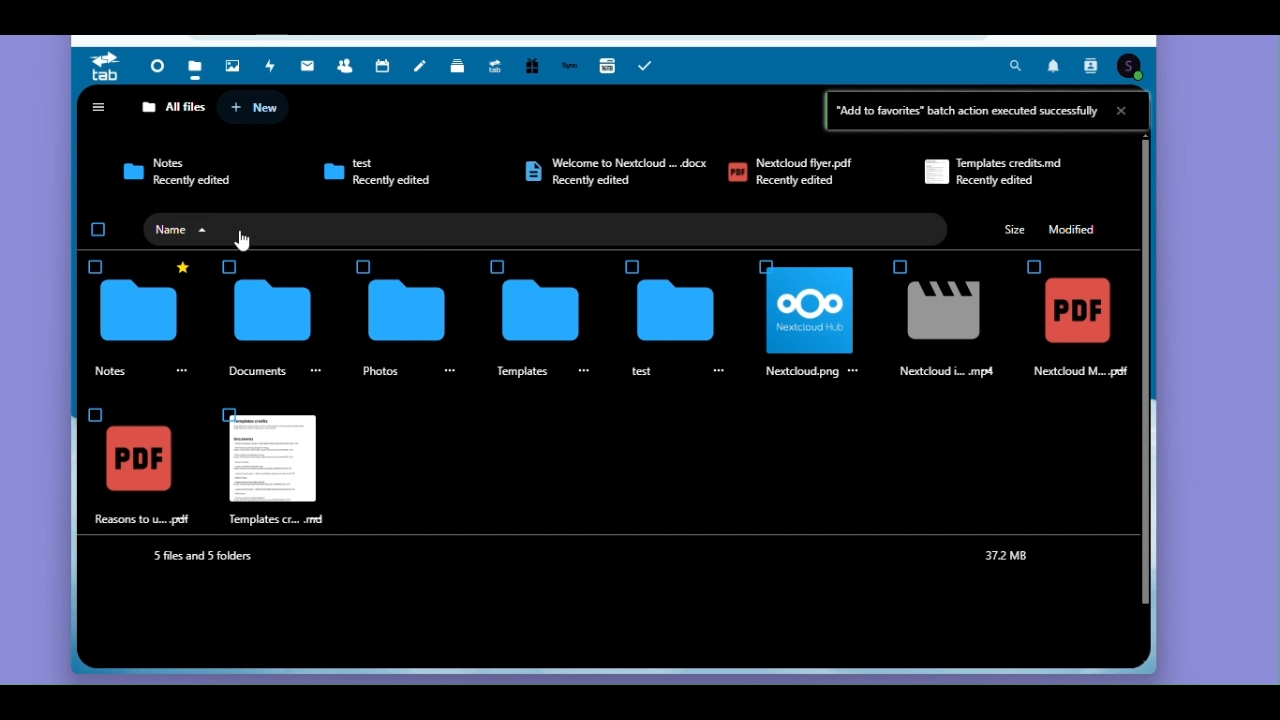  Describe the element at coordinates (185, 365) in the screenshot. I see `Ellipsis` at that location.